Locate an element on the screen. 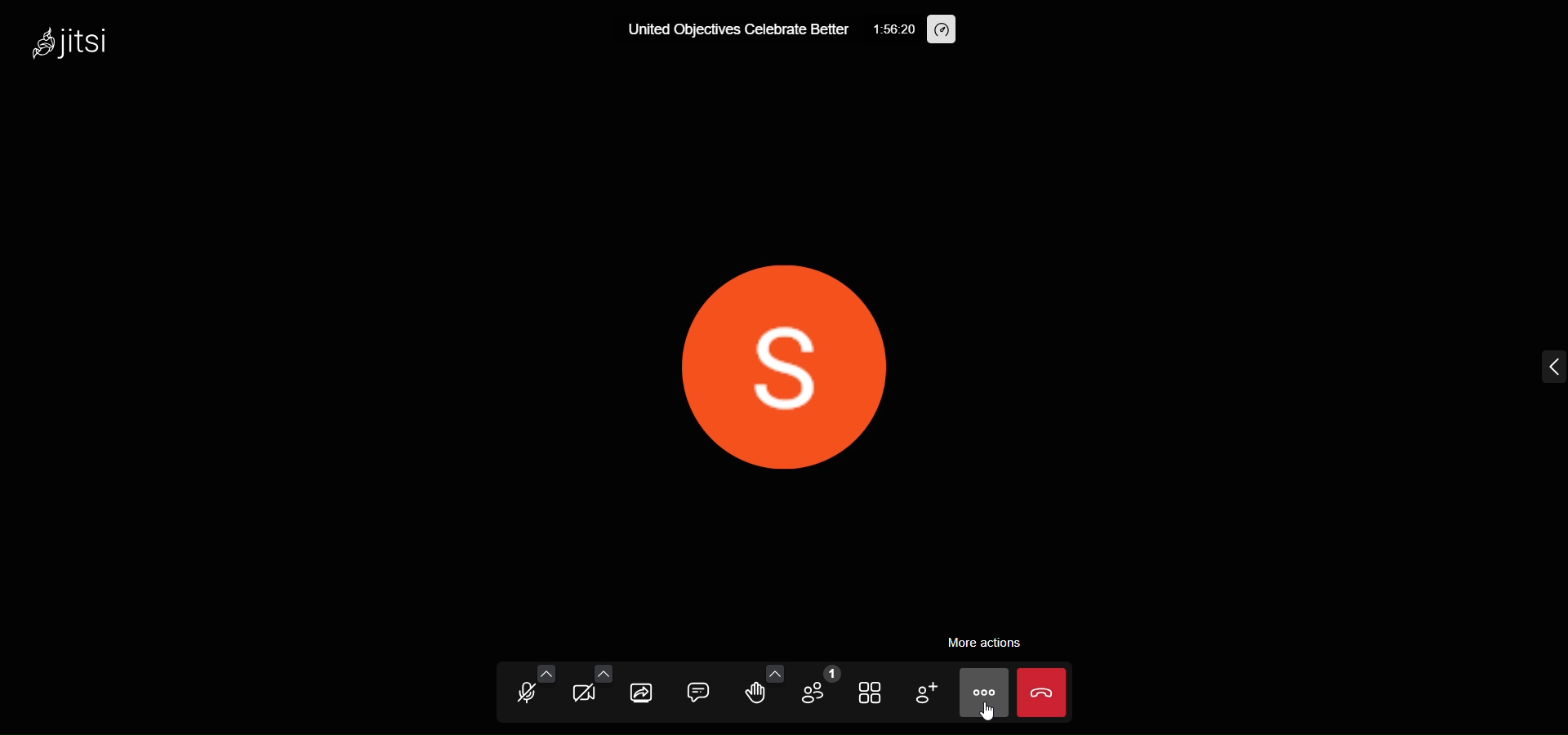 The image size is (1568, 735). more emoji is located at coordinates (774, 672).